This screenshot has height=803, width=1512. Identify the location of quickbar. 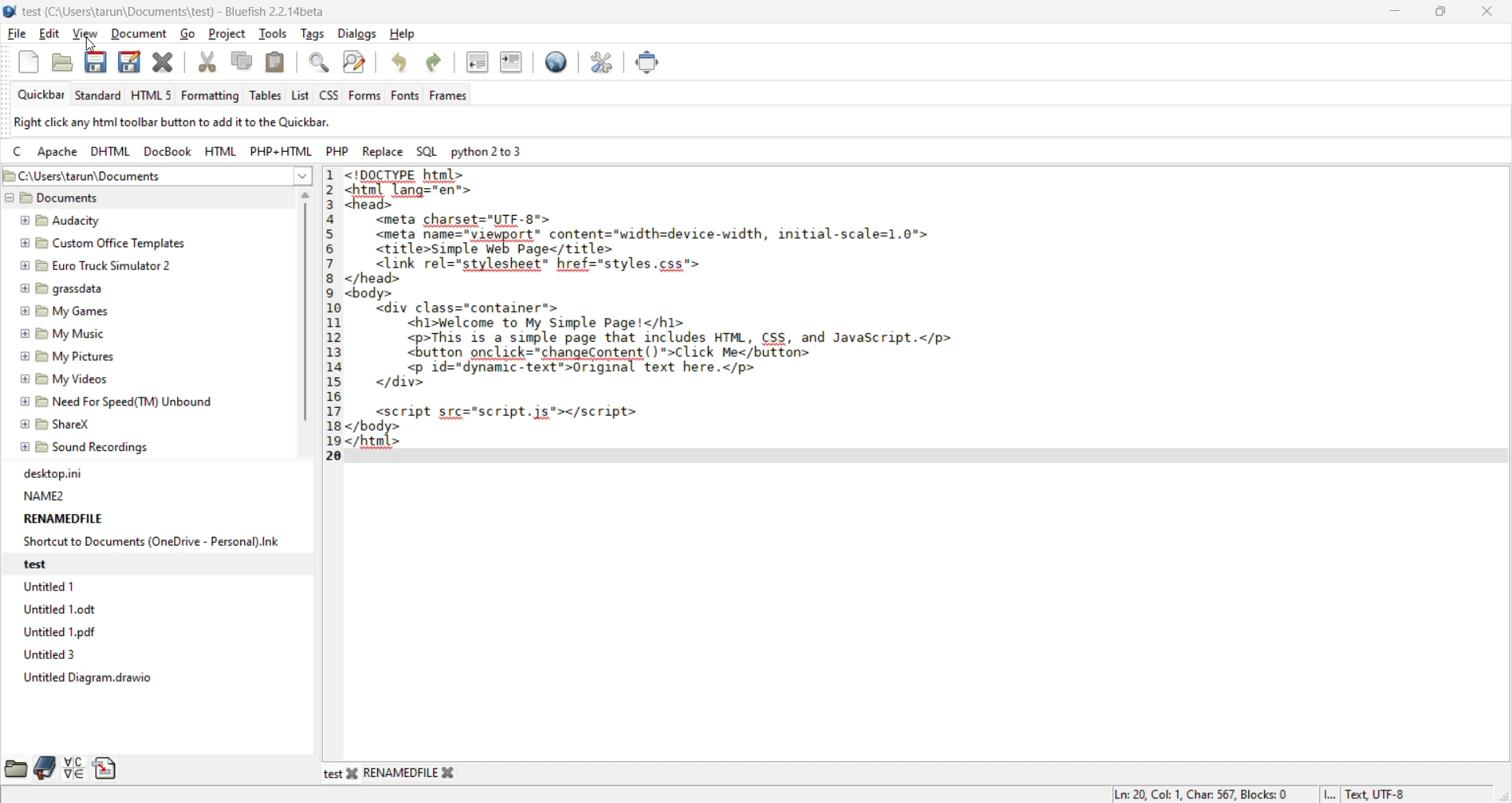
(43, 94).